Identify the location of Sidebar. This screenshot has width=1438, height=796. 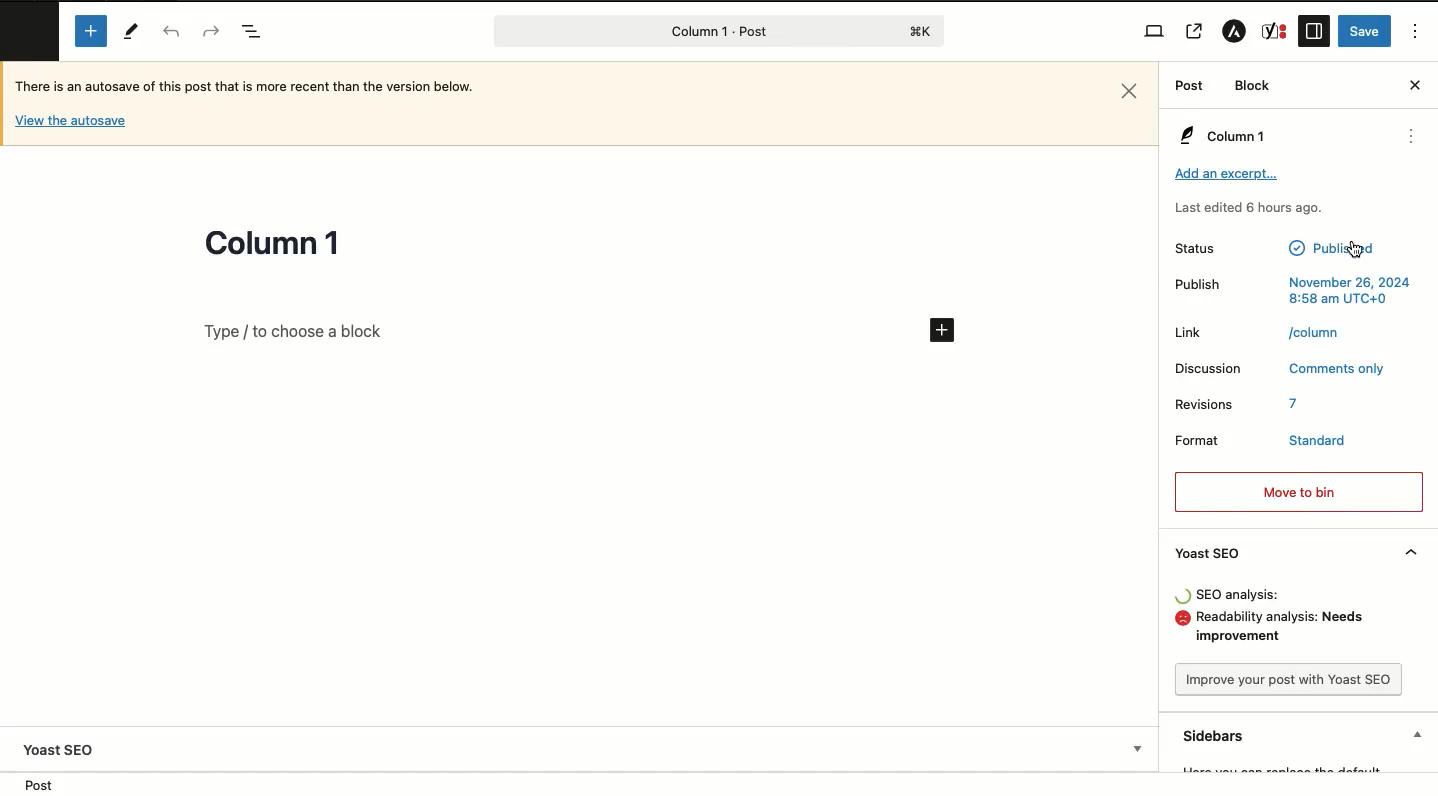
(1313, 32).